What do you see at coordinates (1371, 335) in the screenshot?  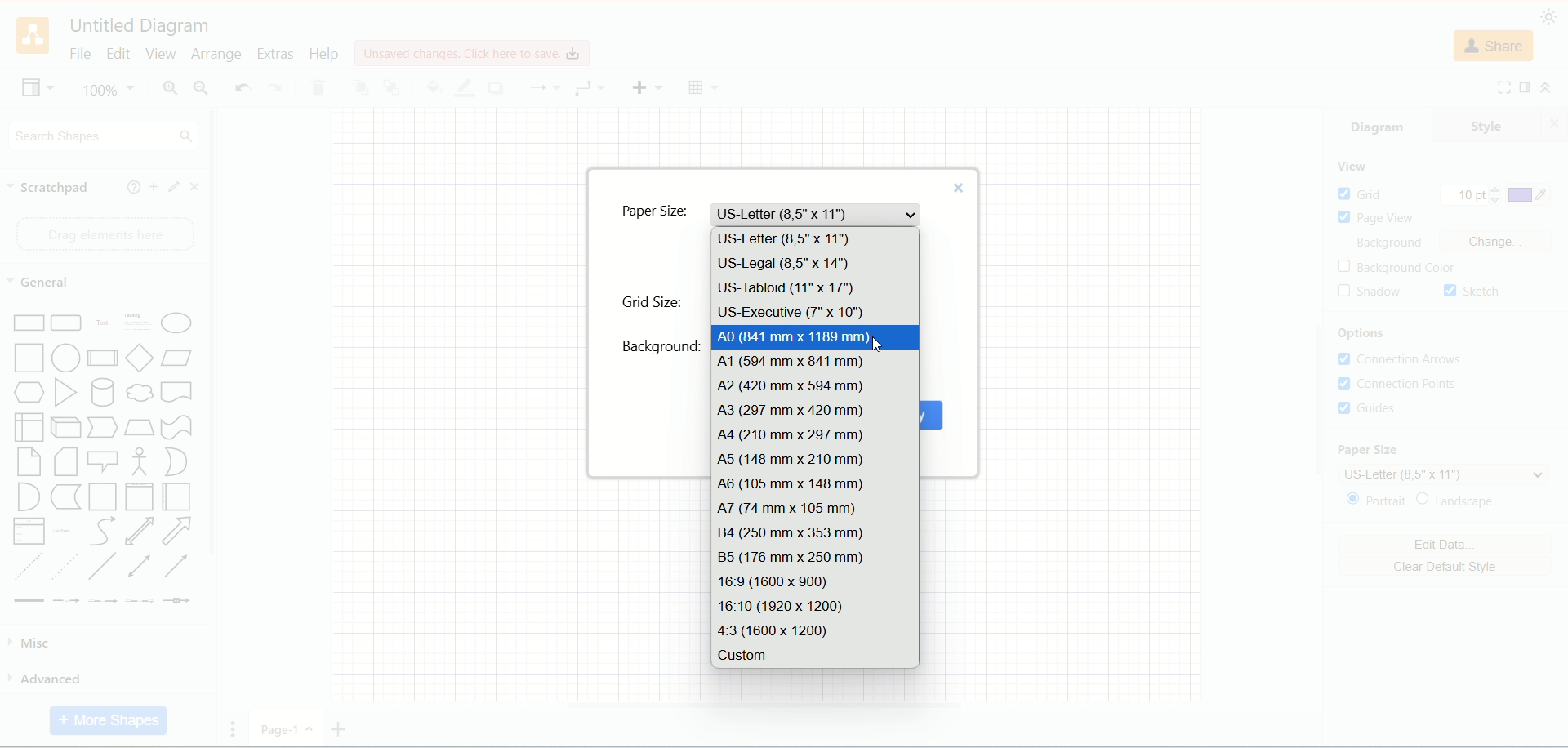 I see `options` at bounding box center [1371, 335].